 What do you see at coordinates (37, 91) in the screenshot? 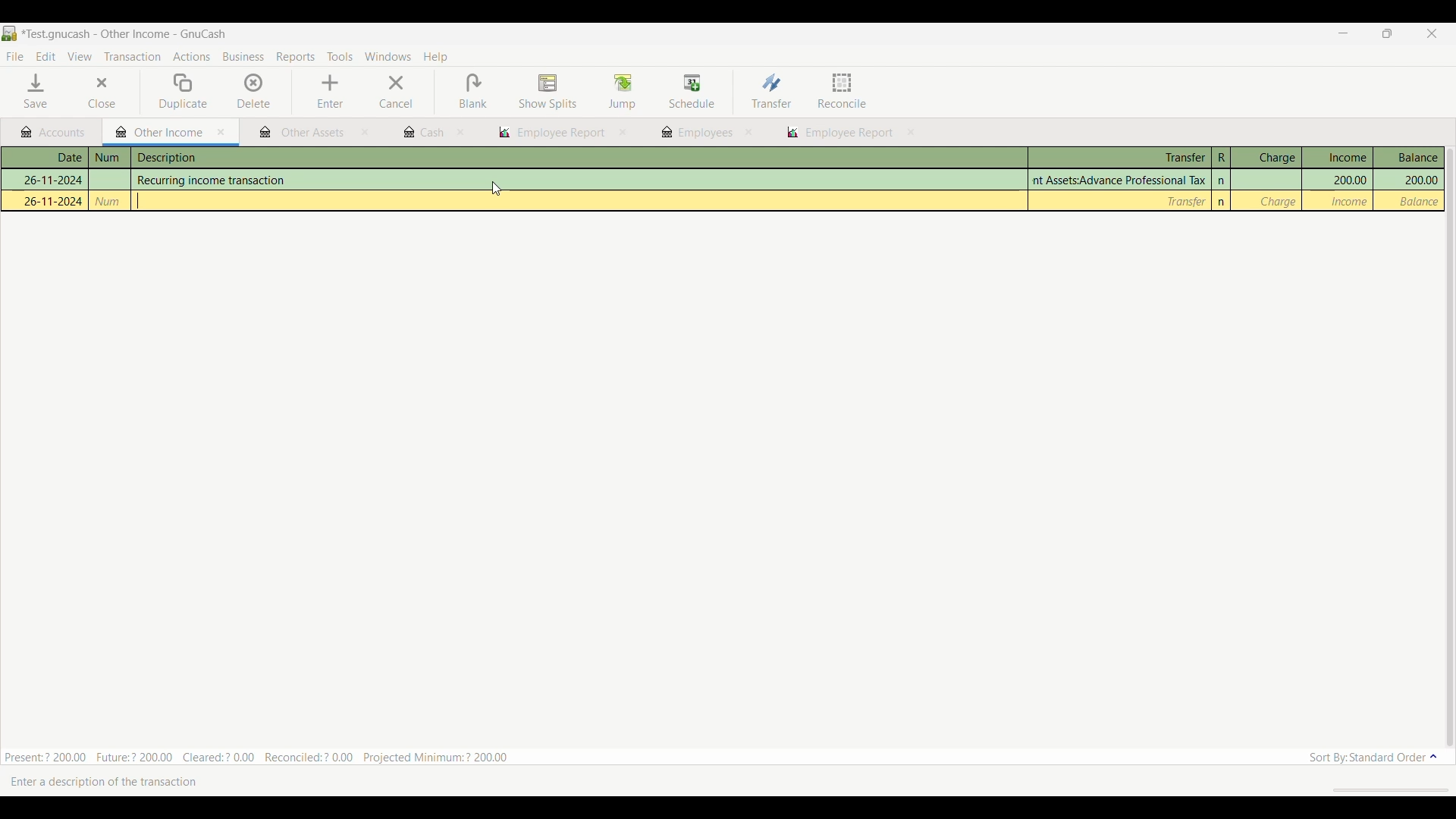
I see `Save menu` at bounding box center [37, 91].